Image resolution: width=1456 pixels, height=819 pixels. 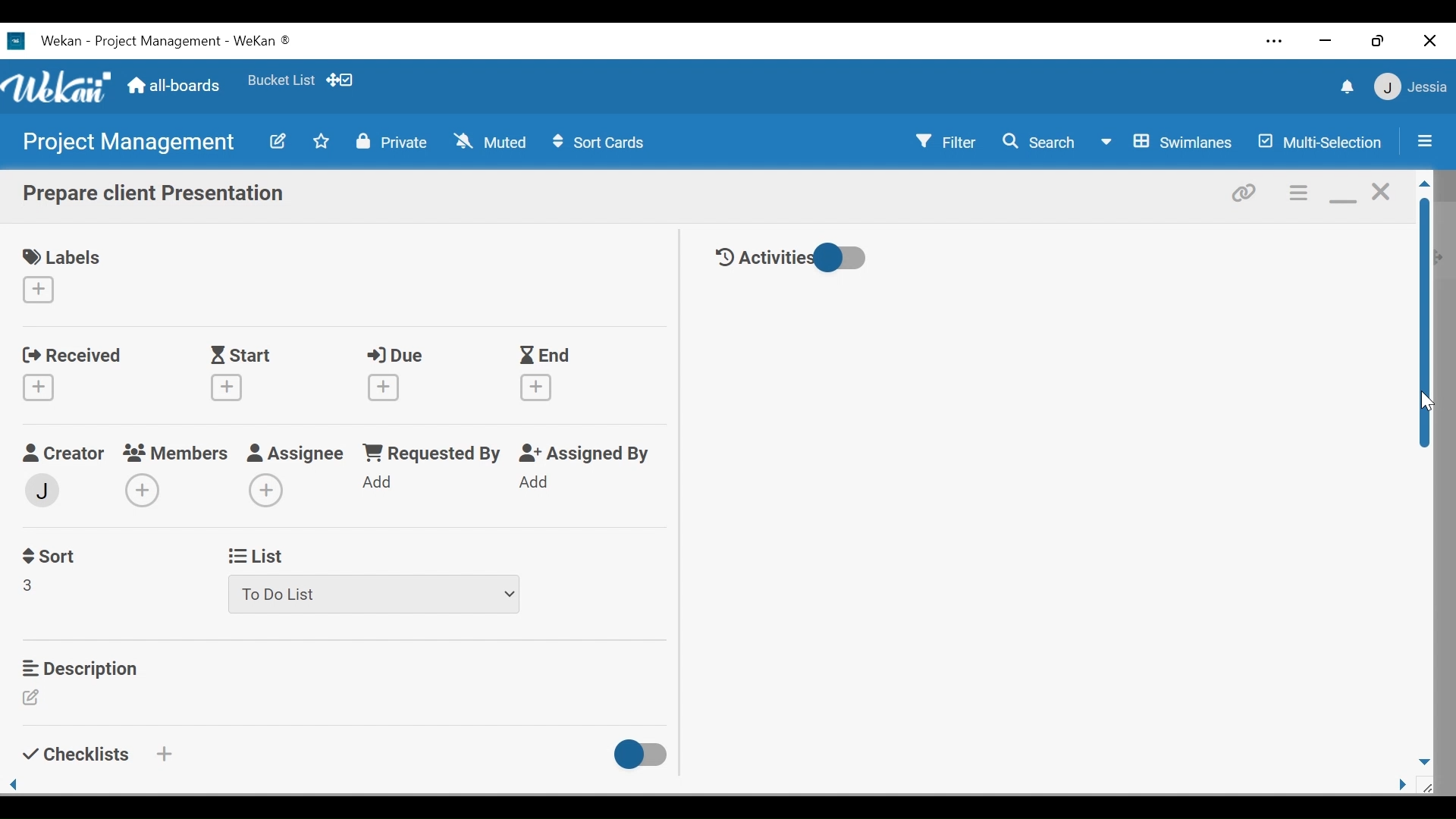 What do you see at coordinates (321, 141) in the screenshot?
I see `Toggle favorites` at bounding box center [321, 141].